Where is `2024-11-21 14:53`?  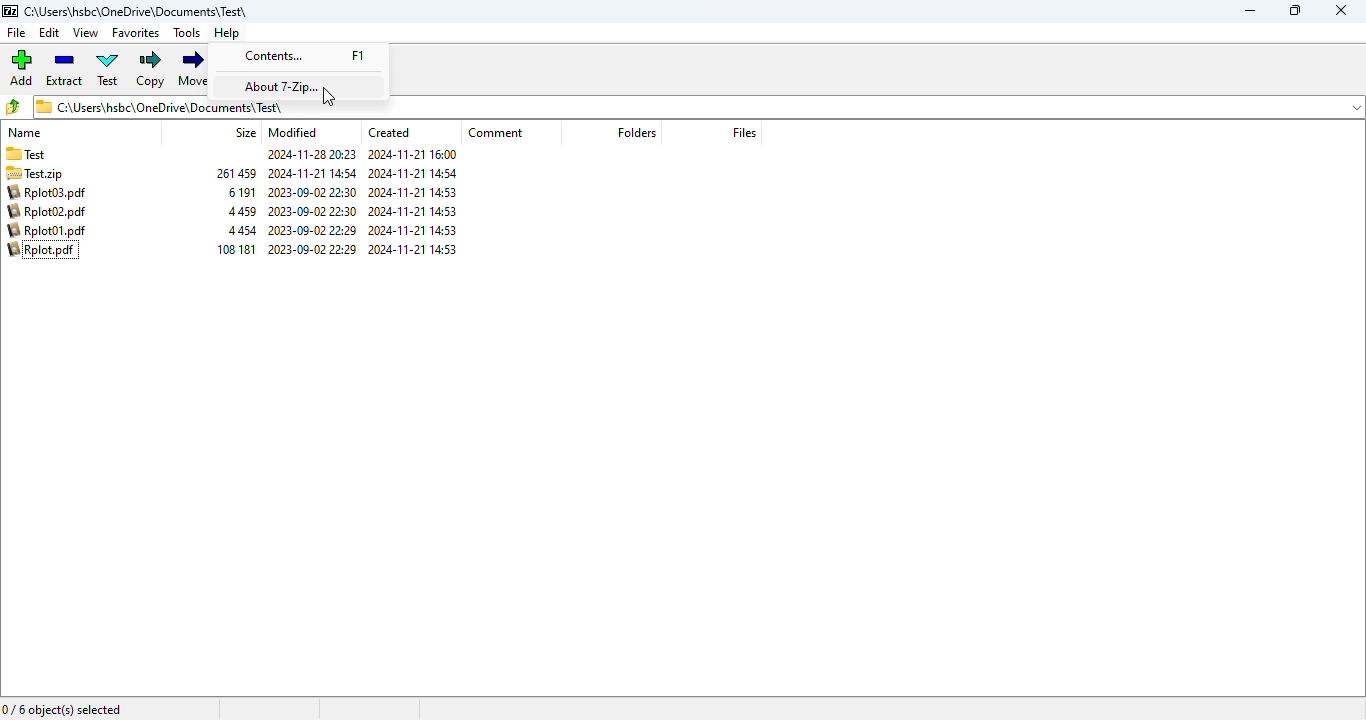
2024-11-21 14:53 is located at coordinates (417, 250).